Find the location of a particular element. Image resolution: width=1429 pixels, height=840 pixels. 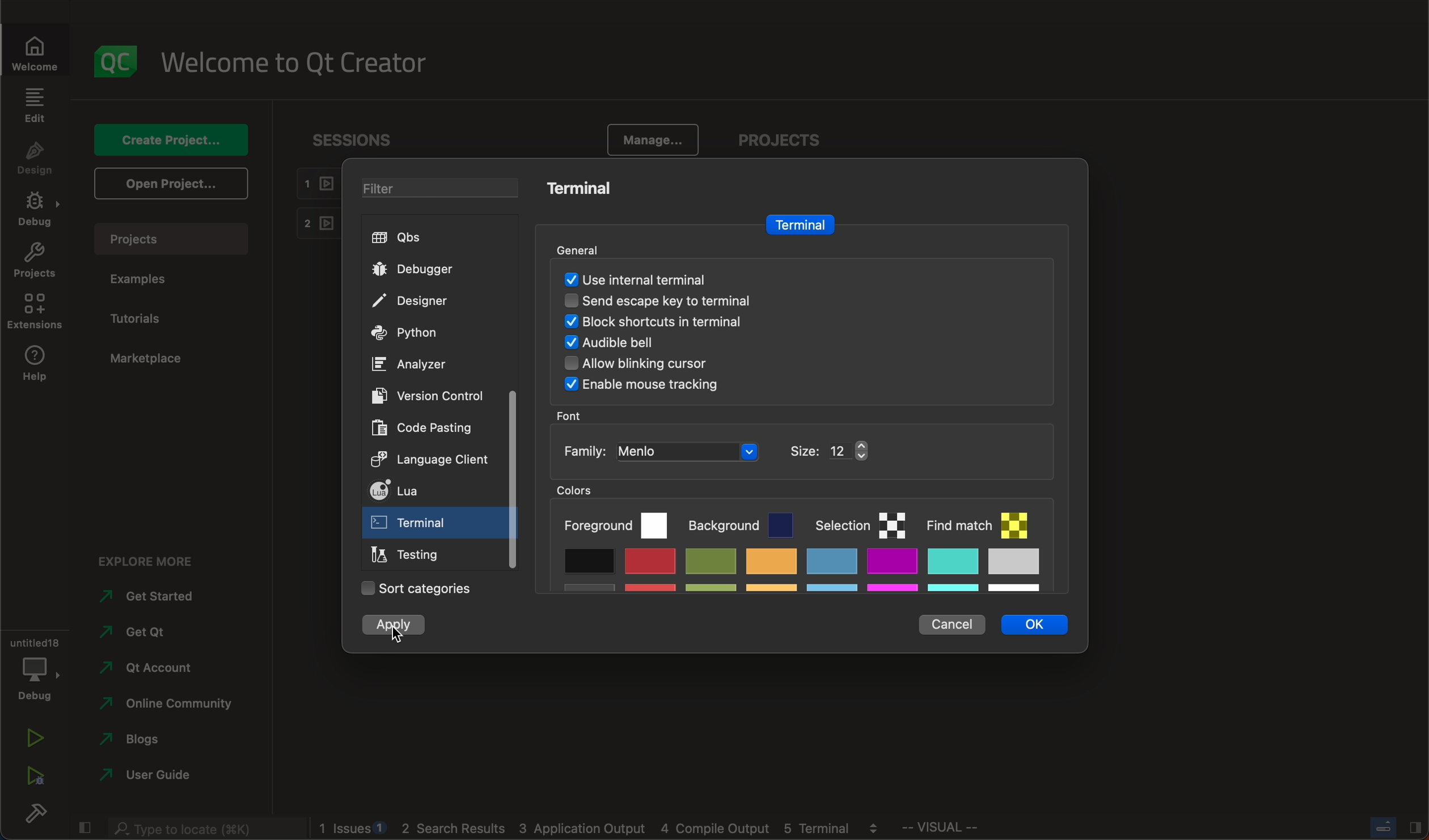

audio is located at coordinates (631, 344).